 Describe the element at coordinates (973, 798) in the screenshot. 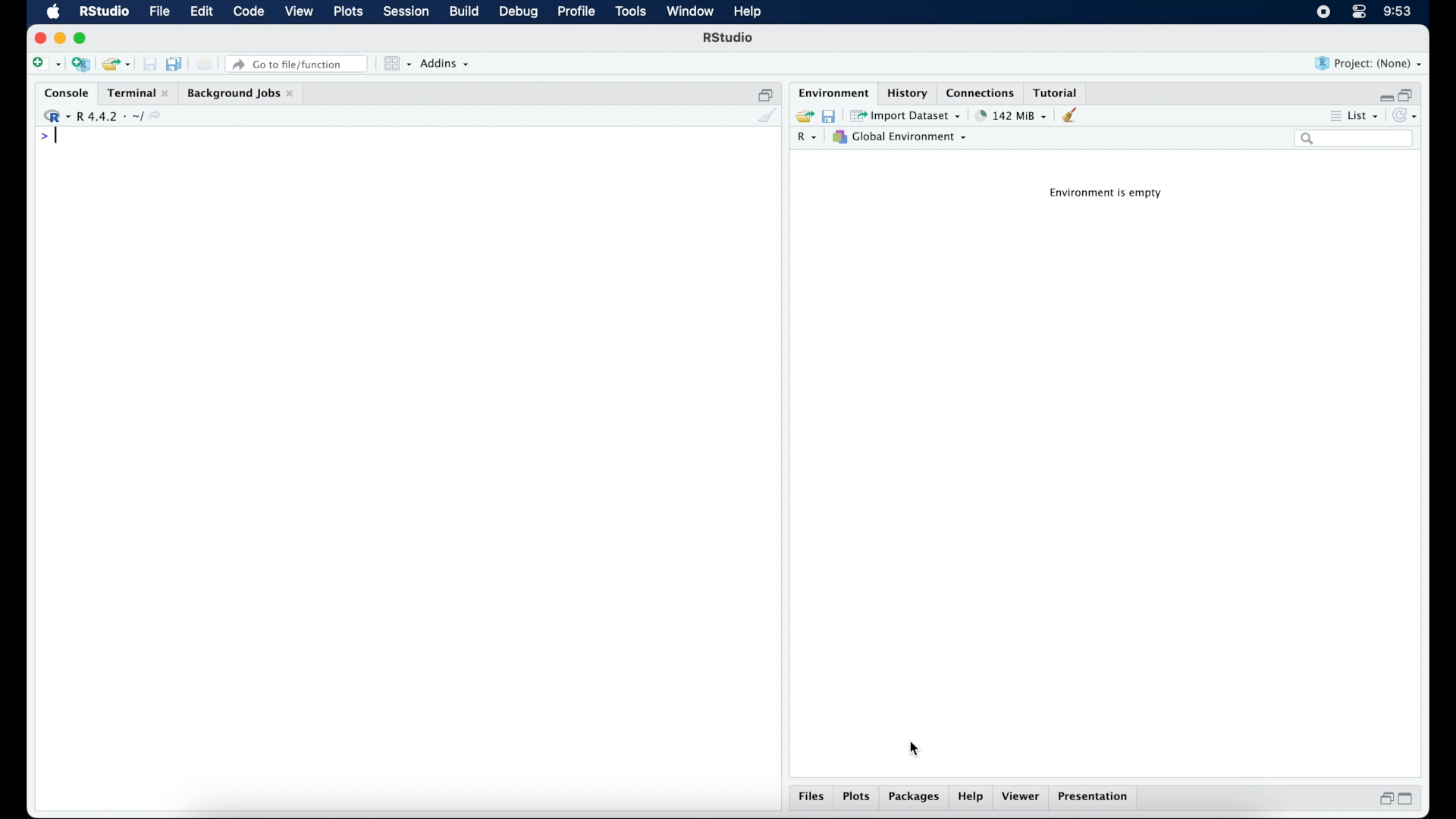

I see `help` at that location.